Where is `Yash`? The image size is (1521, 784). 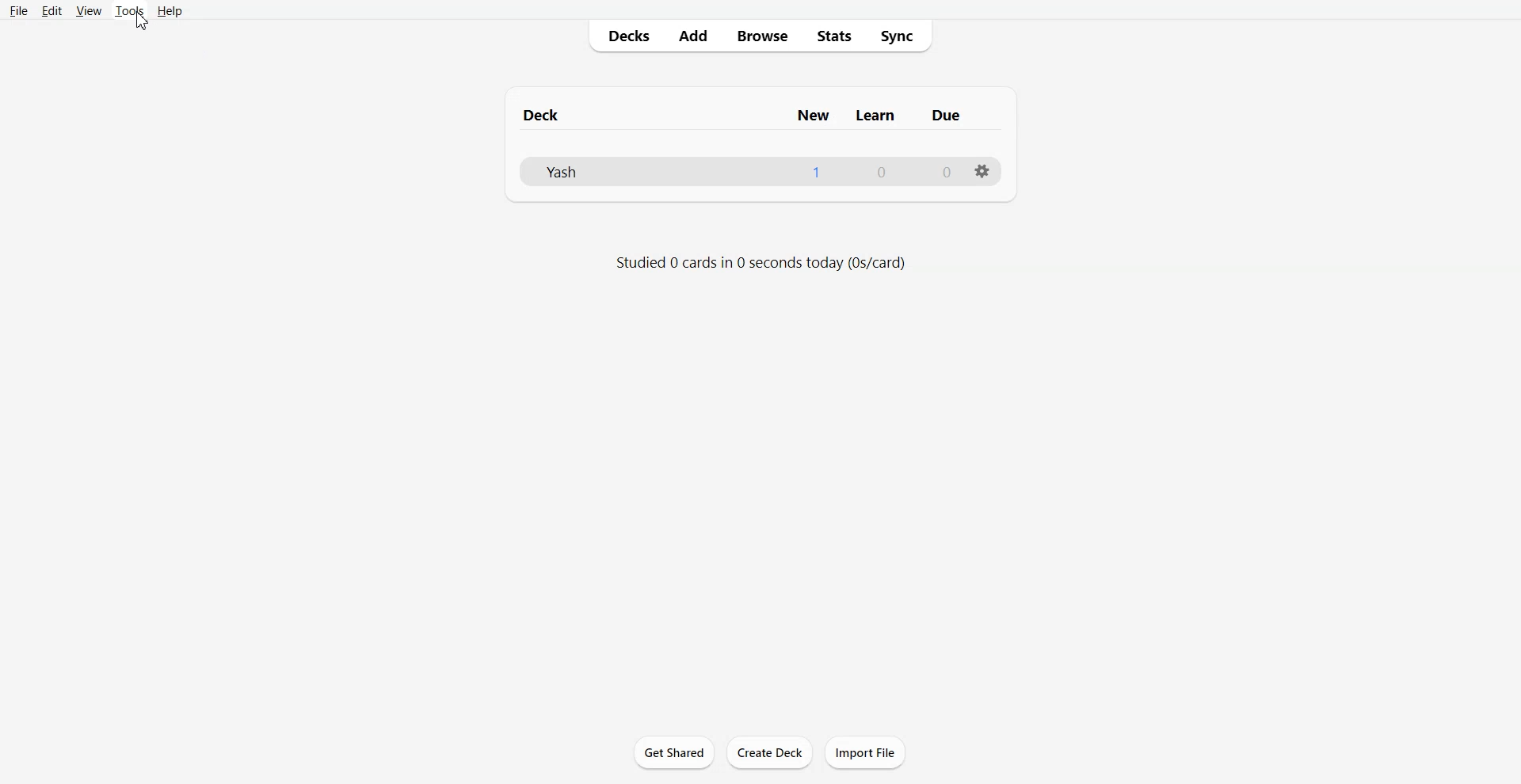
Yash is located at coordinates (562, 171).